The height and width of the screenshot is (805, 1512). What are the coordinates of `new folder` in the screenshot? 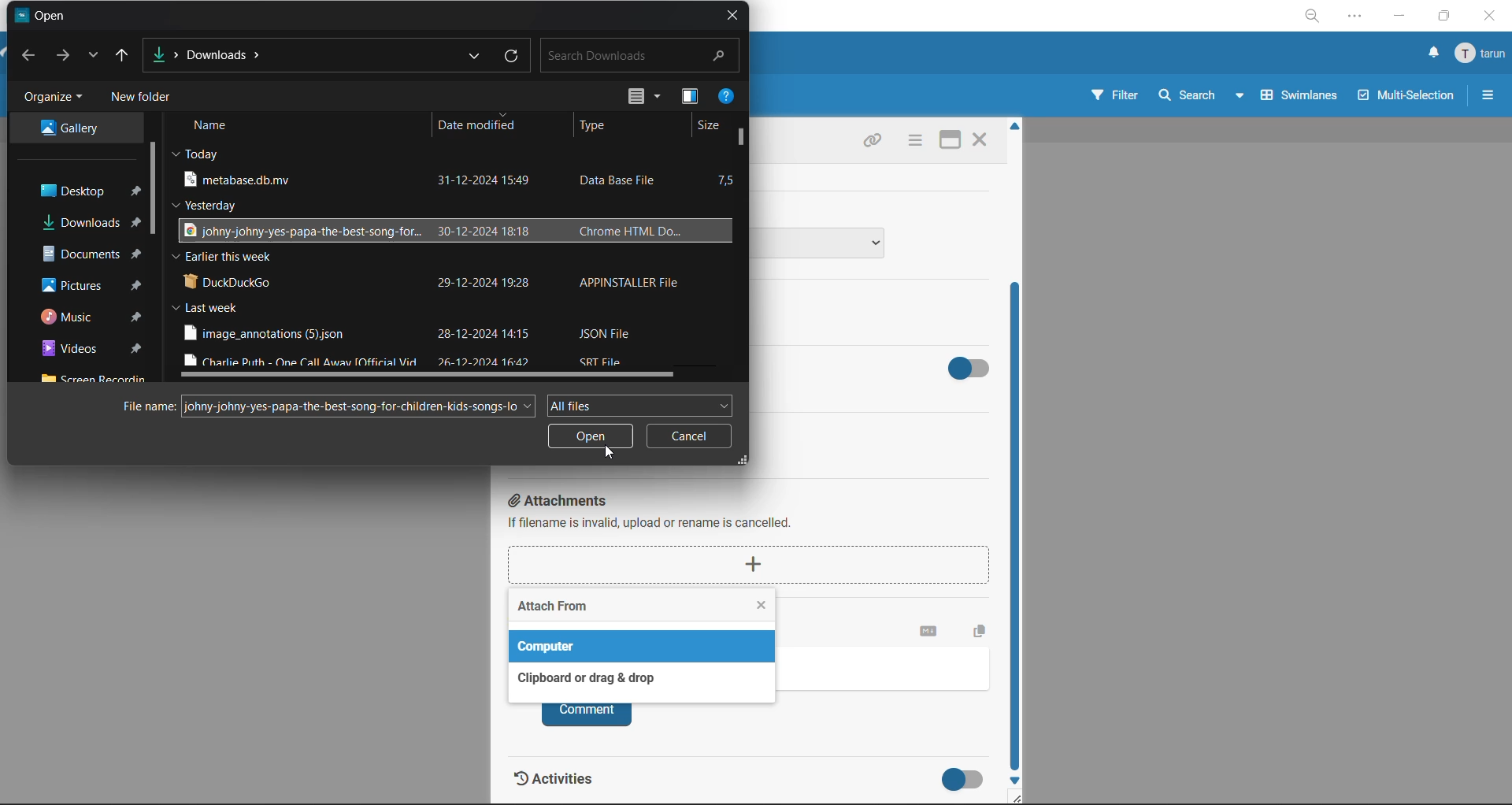 It's located at (147, 99).